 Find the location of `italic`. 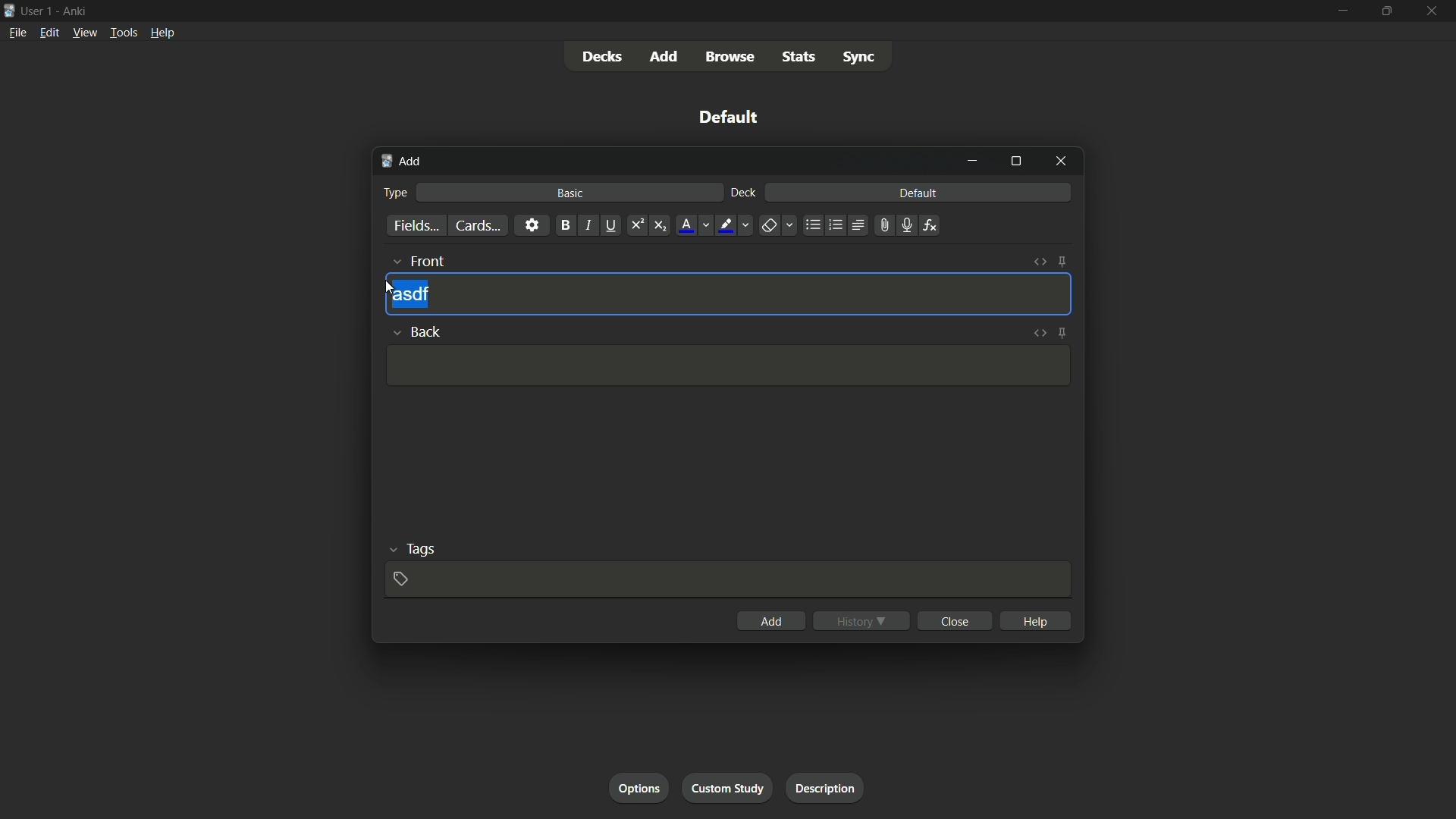

italic is located at coordinates (587, 224).